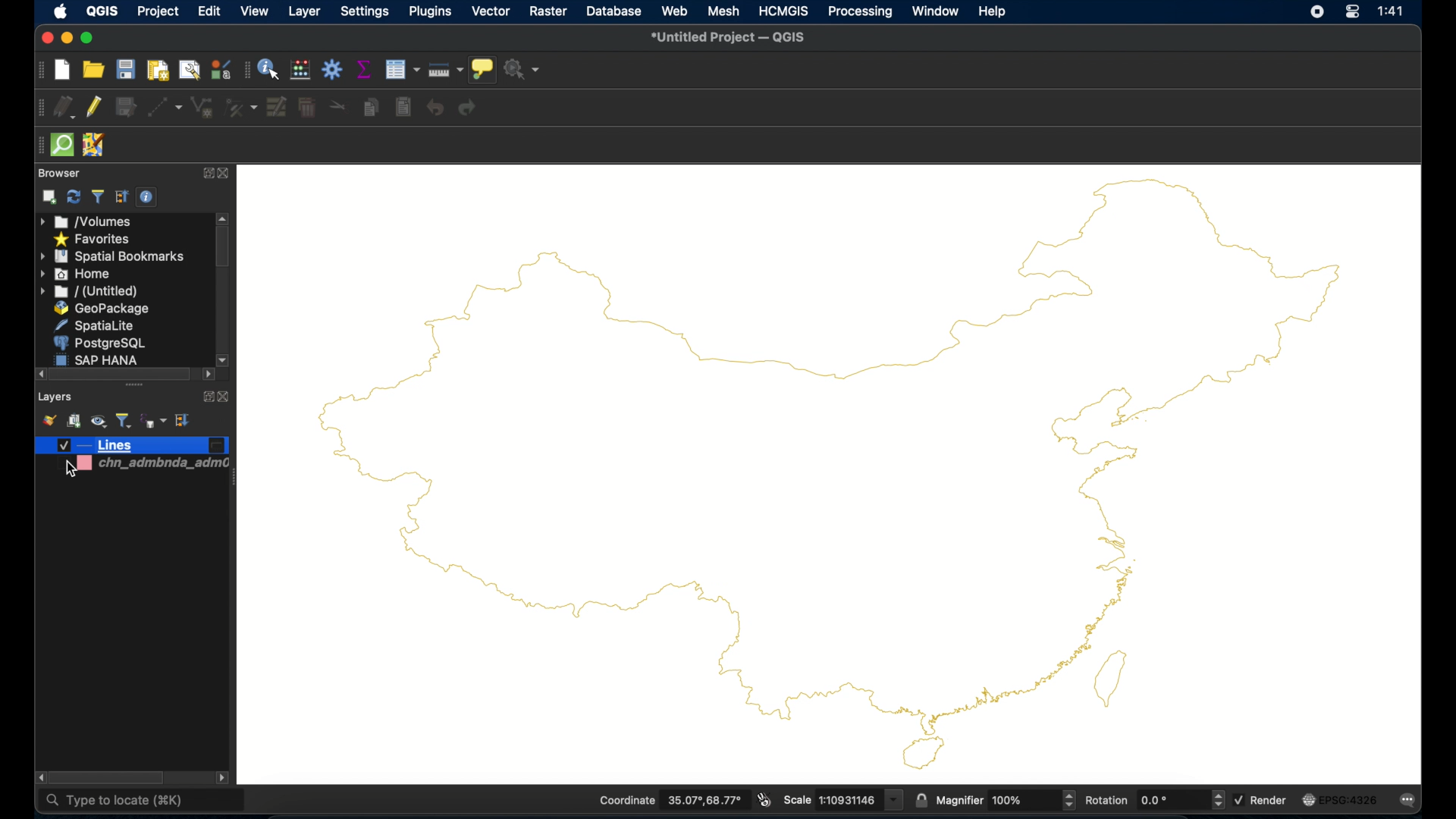 This screenshot has width=1456, height=819. Describe the element at coordinates (935, 11) in the screenshot. I see `window` at that location.